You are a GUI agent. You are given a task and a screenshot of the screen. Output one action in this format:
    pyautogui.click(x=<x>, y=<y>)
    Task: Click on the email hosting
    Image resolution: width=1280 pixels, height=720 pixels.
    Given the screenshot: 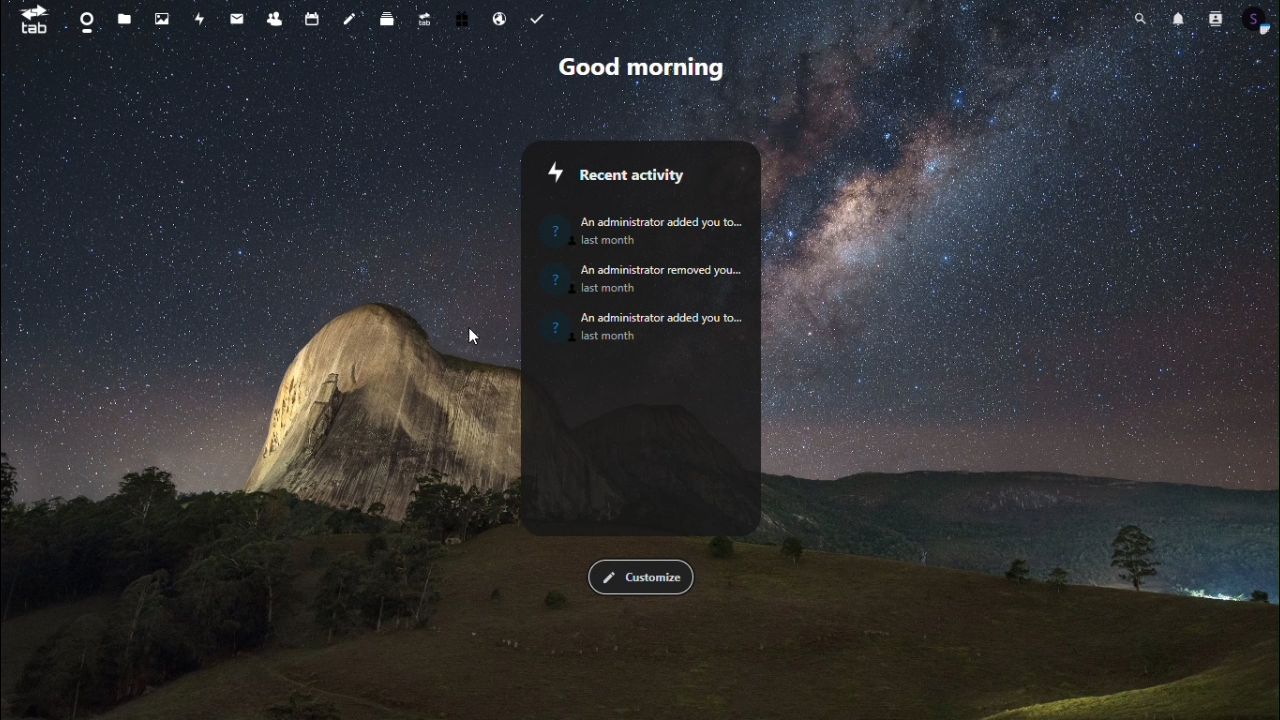 What is the action you would take?
    pyautogui.click(x=500, y=22)
    